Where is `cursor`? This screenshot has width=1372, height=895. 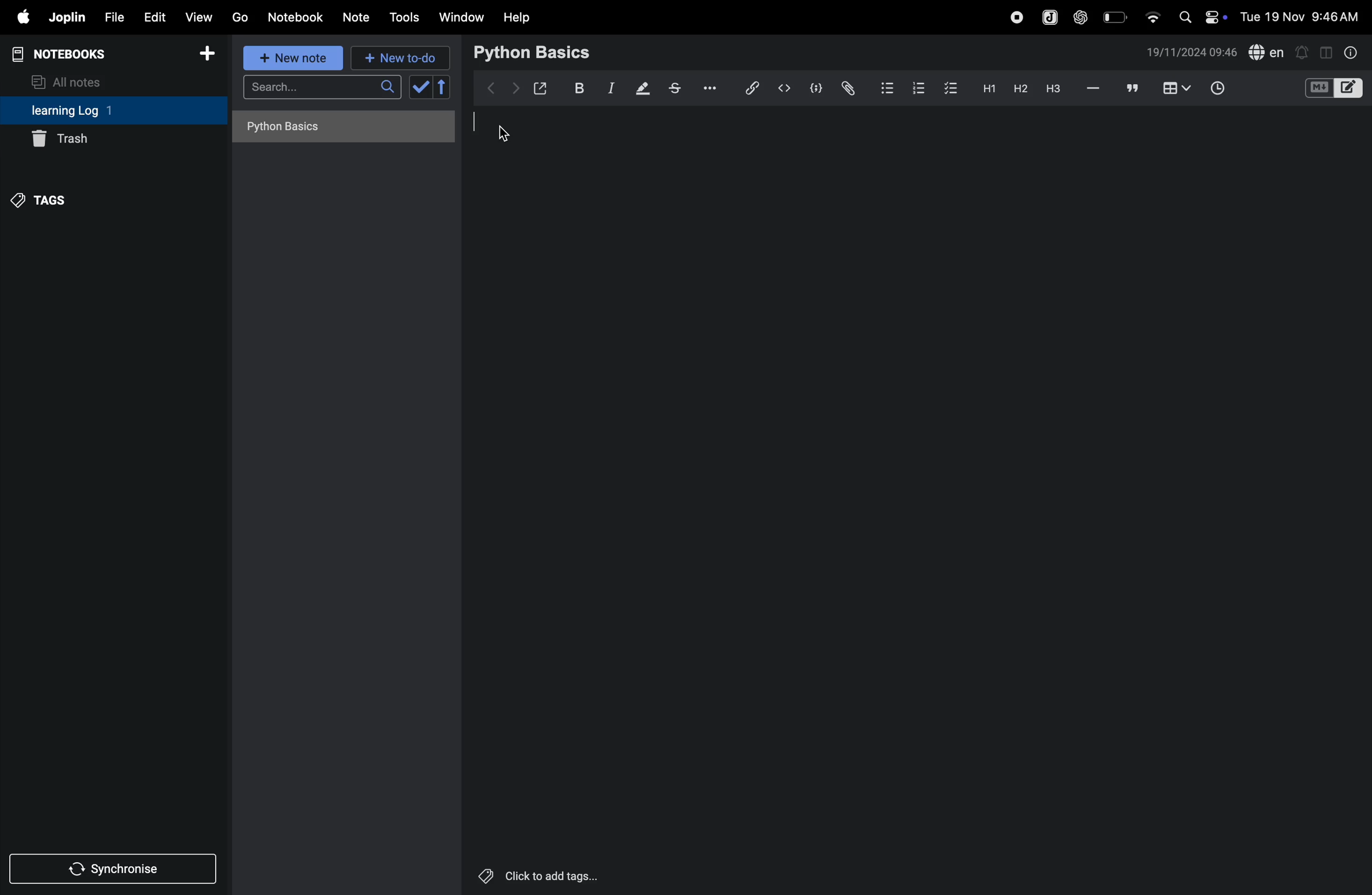
cursor is located at coordinates (507, 133).